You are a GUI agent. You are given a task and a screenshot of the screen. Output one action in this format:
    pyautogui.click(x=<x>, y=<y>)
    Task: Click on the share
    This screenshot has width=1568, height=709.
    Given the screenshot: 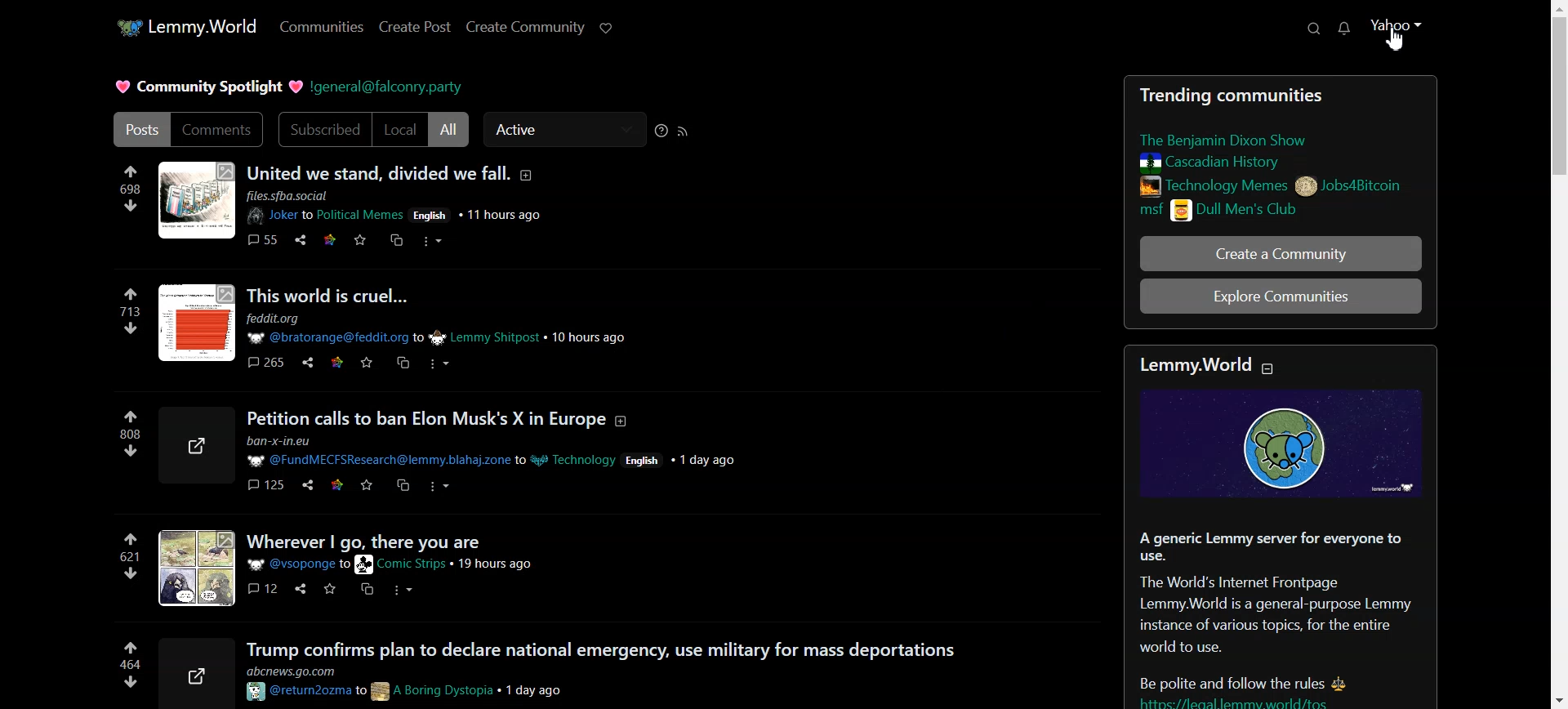 What is the action you would take?
    pyautogui.click(x=304, y=368)
    